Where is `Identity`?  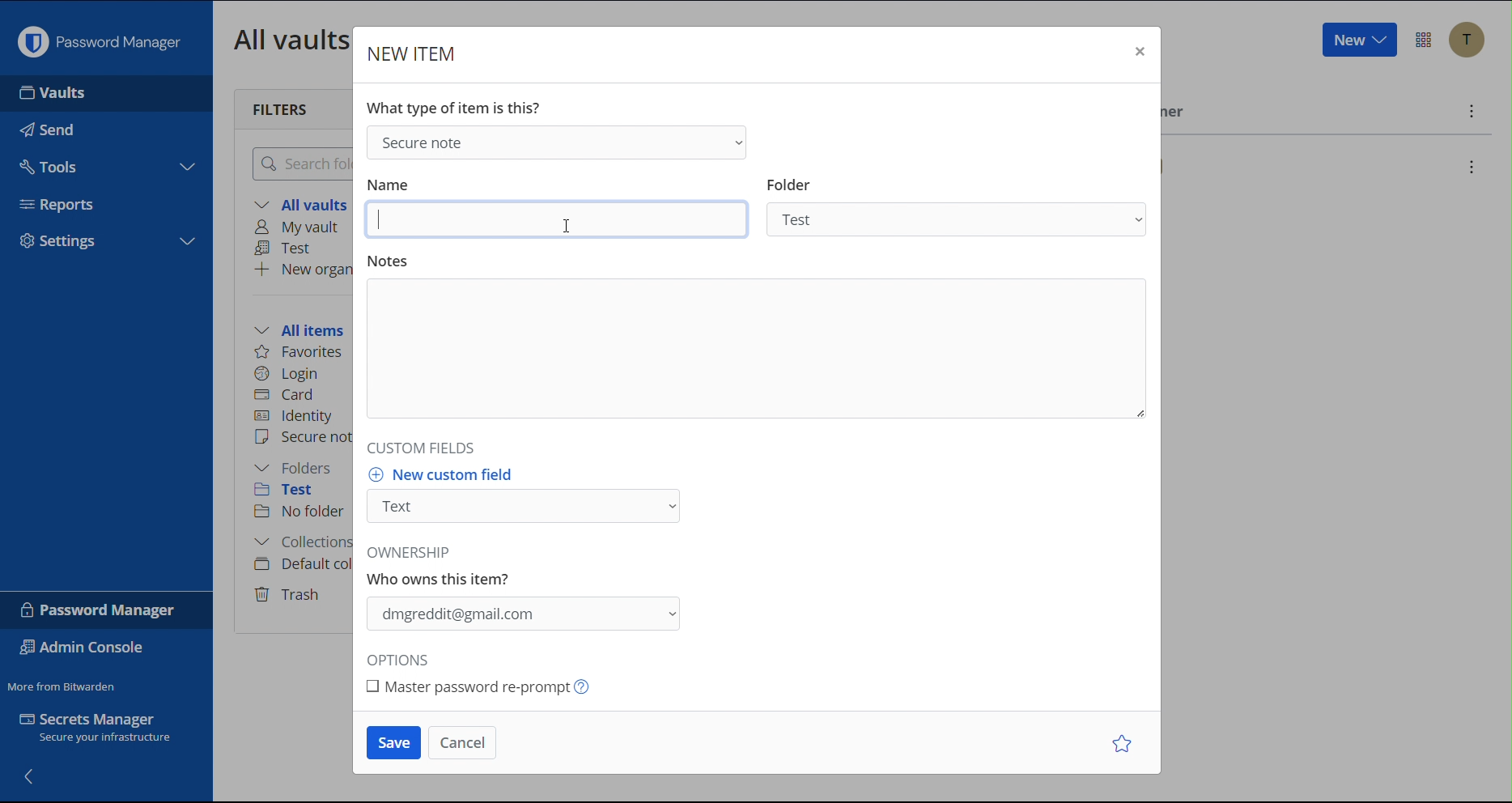
Identity is located at coordinates (295, 416).